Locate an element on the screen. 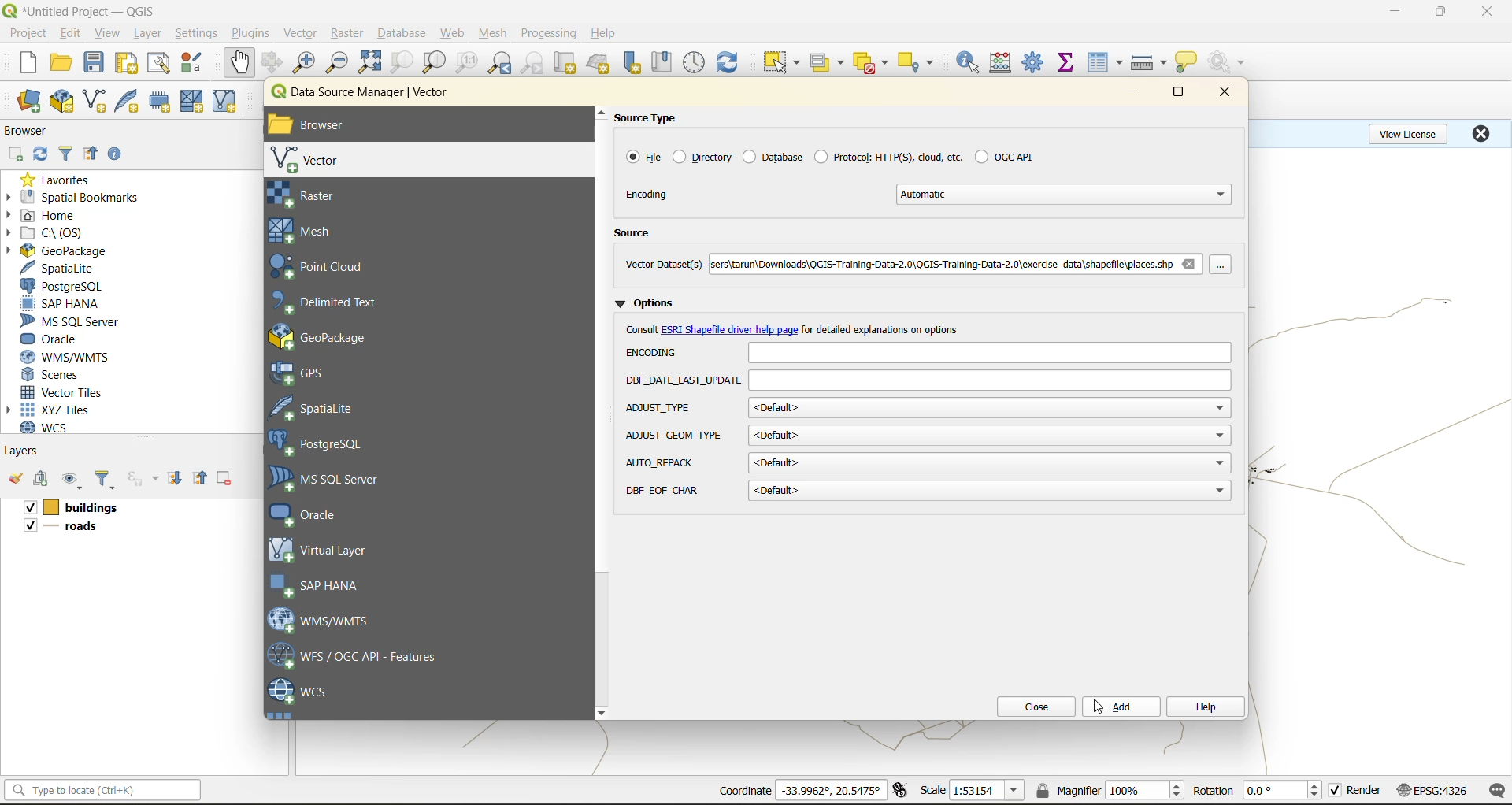 Image resolution: width=1512 pixels, height=805 pixels. magnifier is located at coordinates (1144, 790).